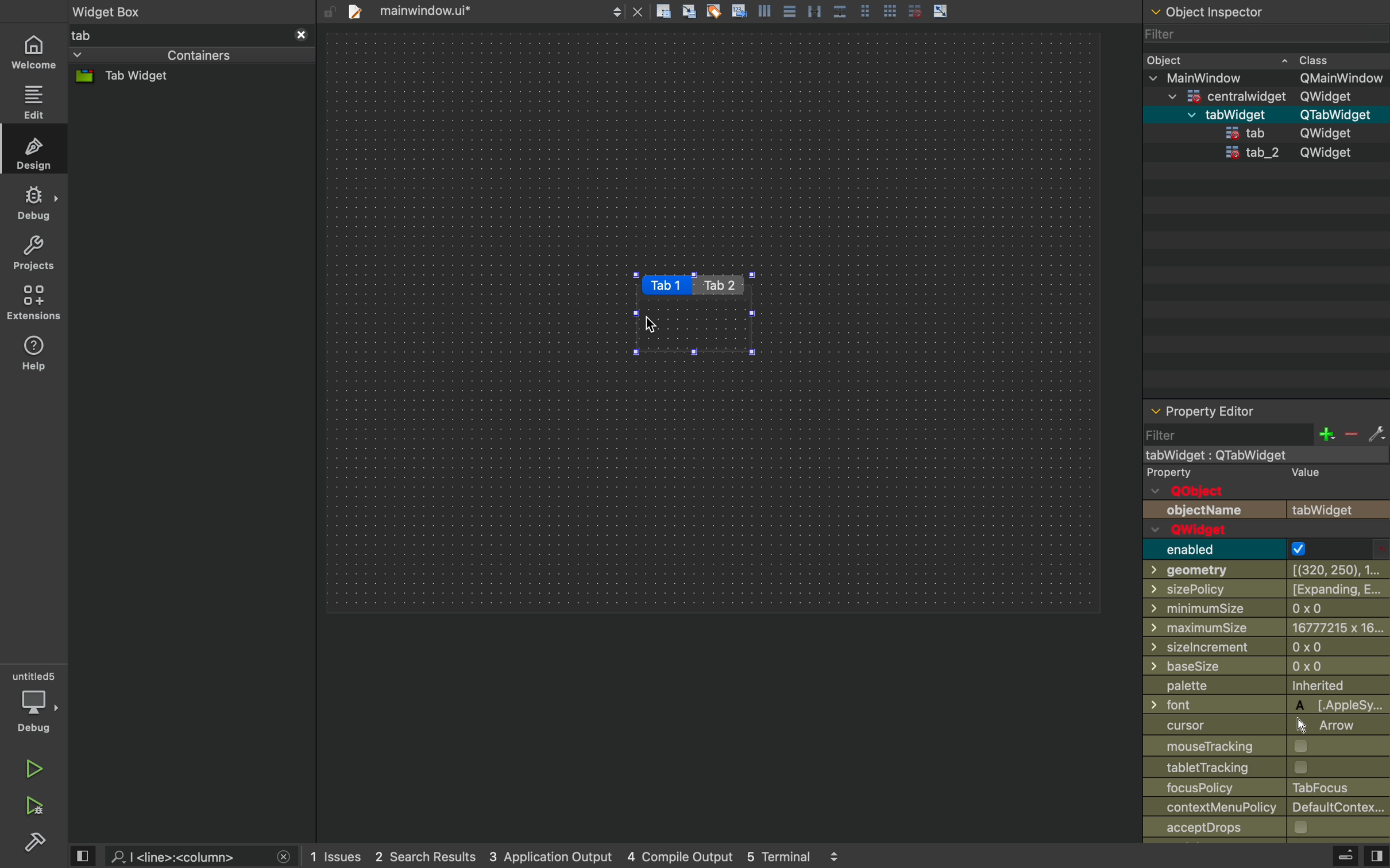  What do you see at coordinates (284, 858) in the screenshot?
I see `close` at bounding box center [284, 858].